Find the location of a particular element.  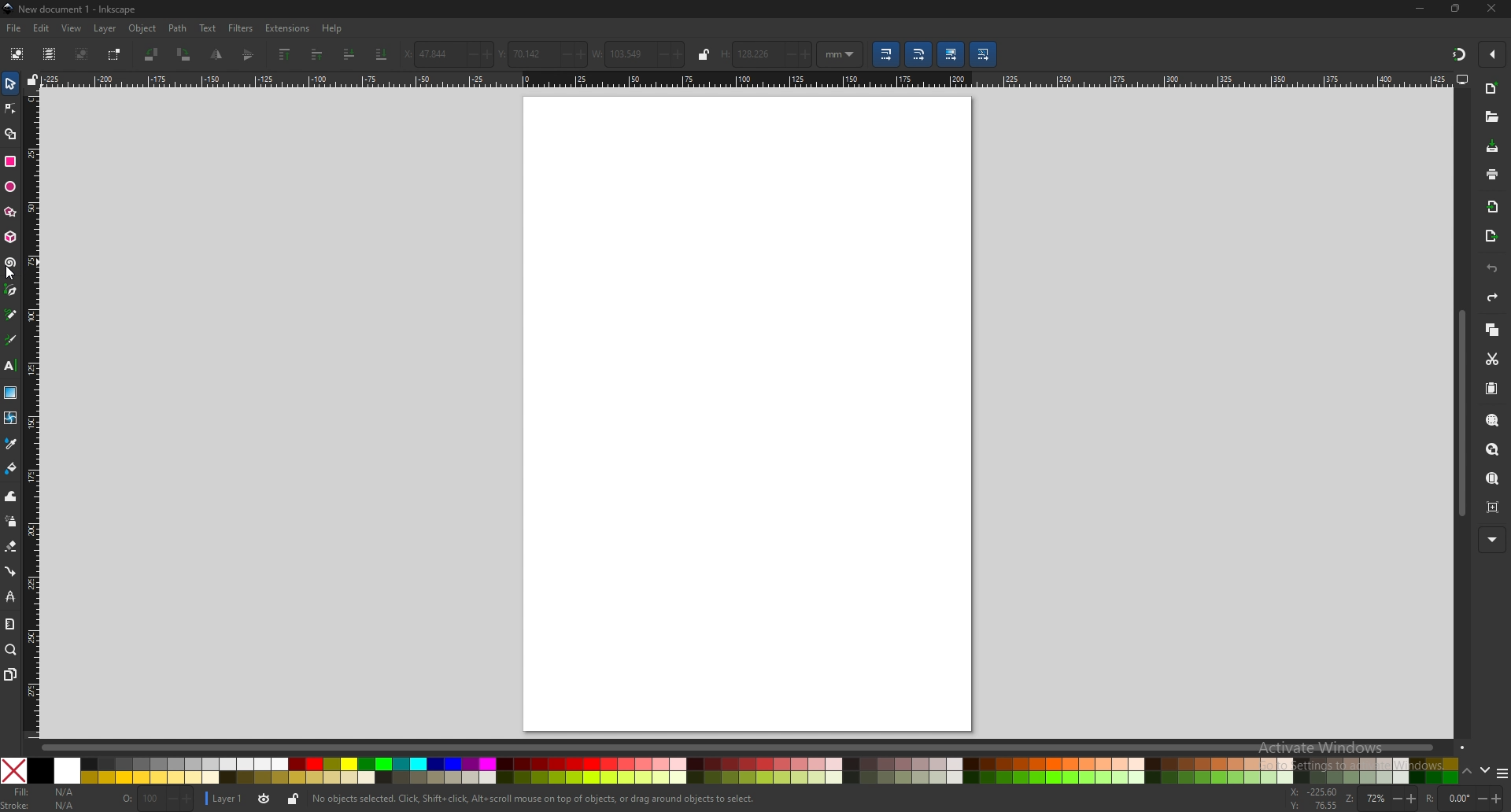

view is located at coordinates (72, 28).